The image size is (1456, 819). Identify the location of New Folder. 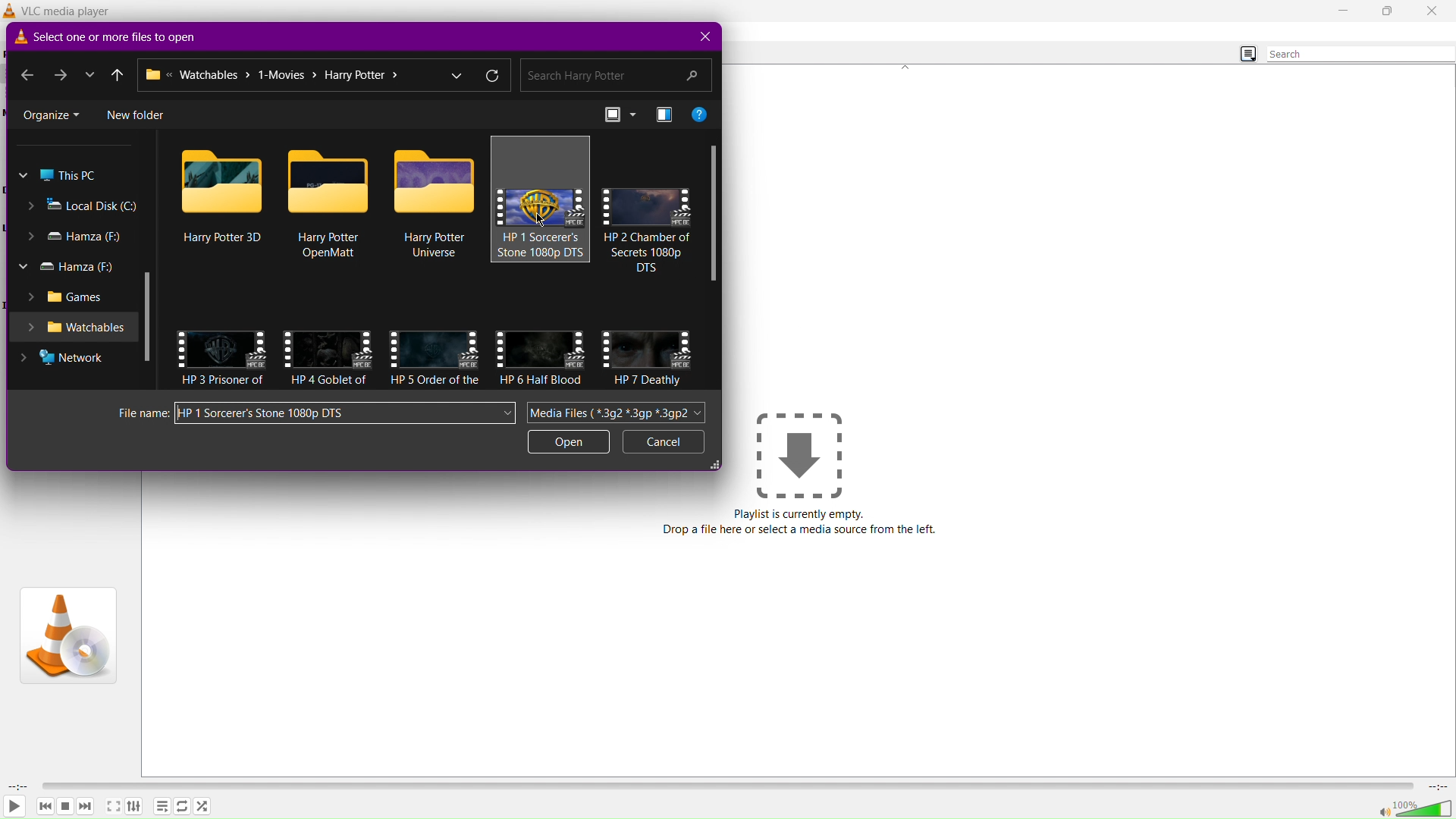
(136, 114).